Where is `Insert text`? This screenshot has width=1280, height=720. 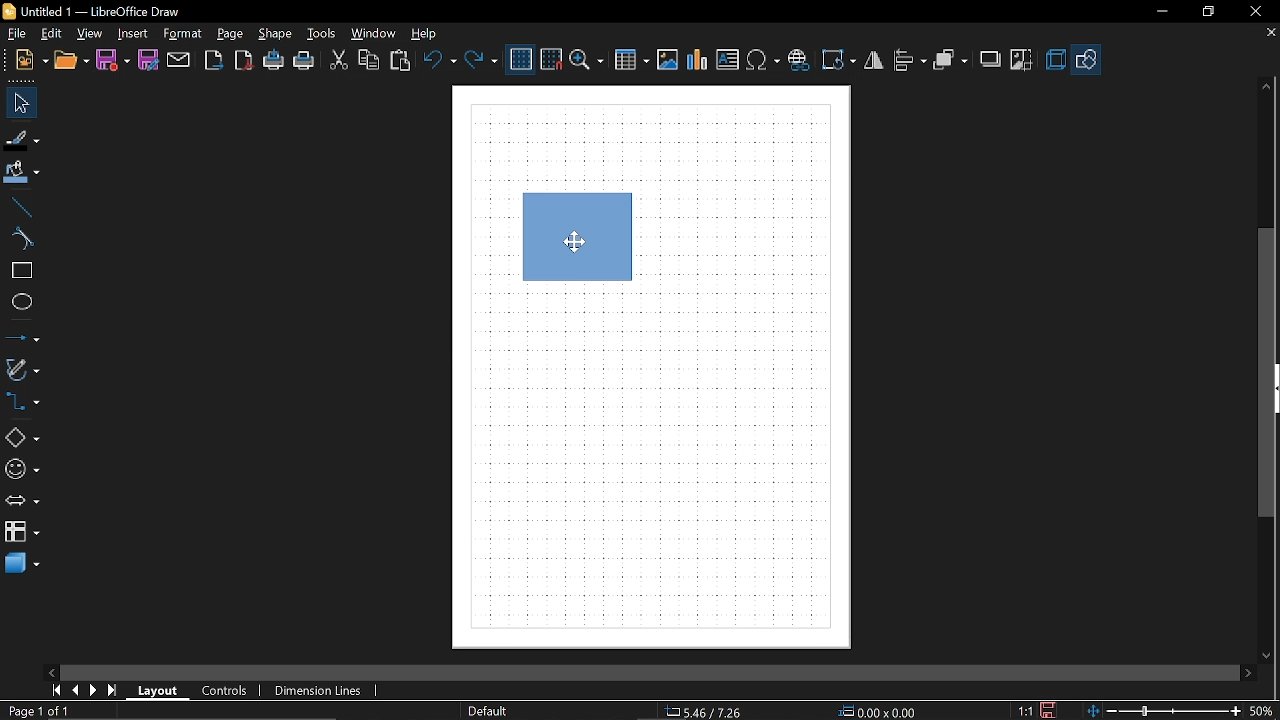 Insert text is located at coordinates (764, 60).